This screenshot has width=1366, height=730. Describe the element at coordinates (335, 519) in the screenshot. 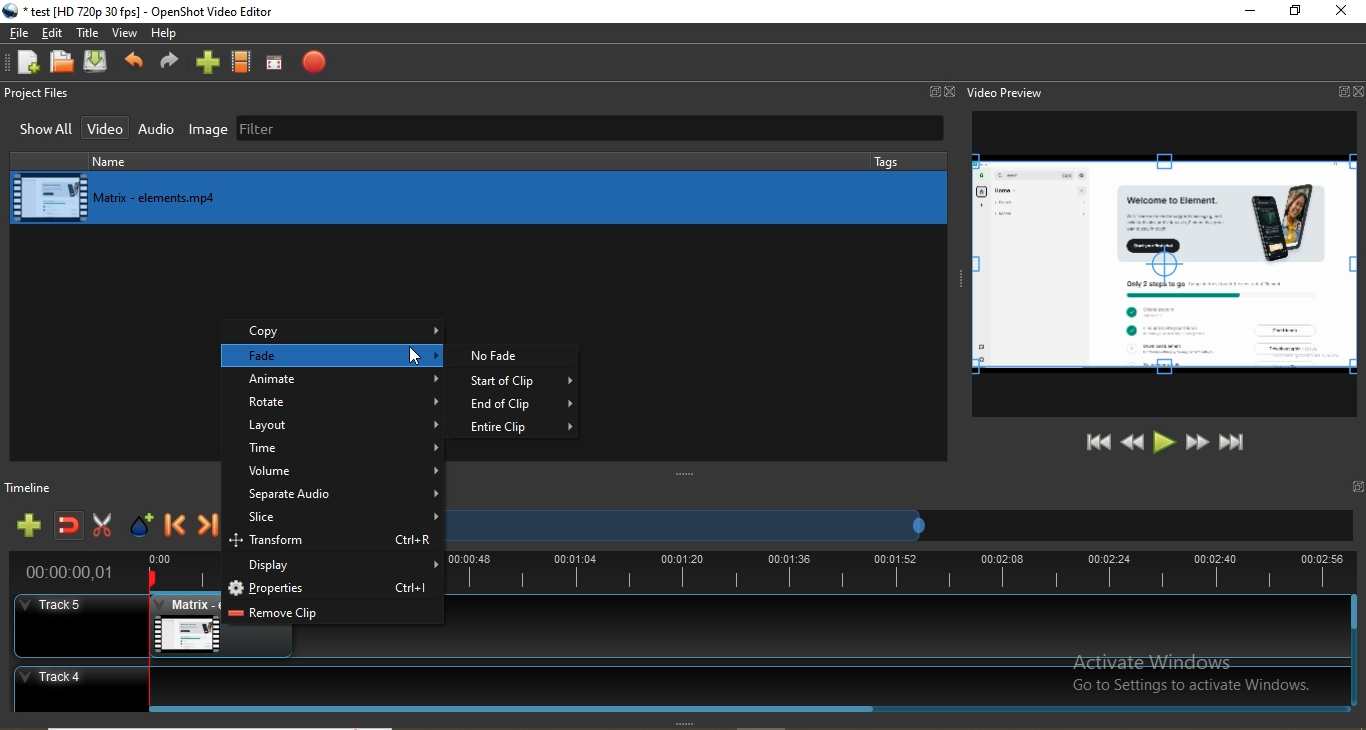

I see `slice` at that location.